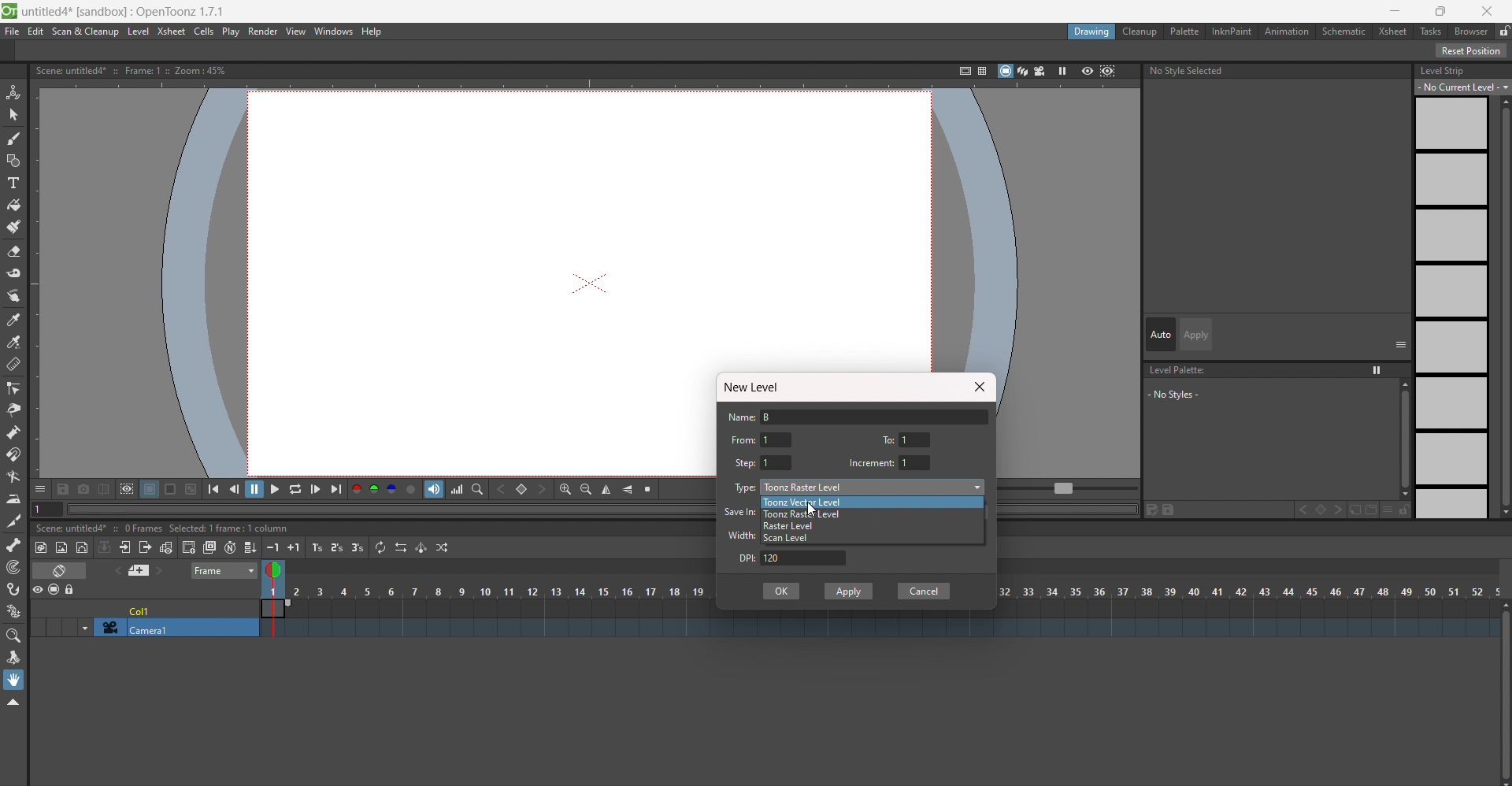  I want to click on reset position, so click(1472, 50).